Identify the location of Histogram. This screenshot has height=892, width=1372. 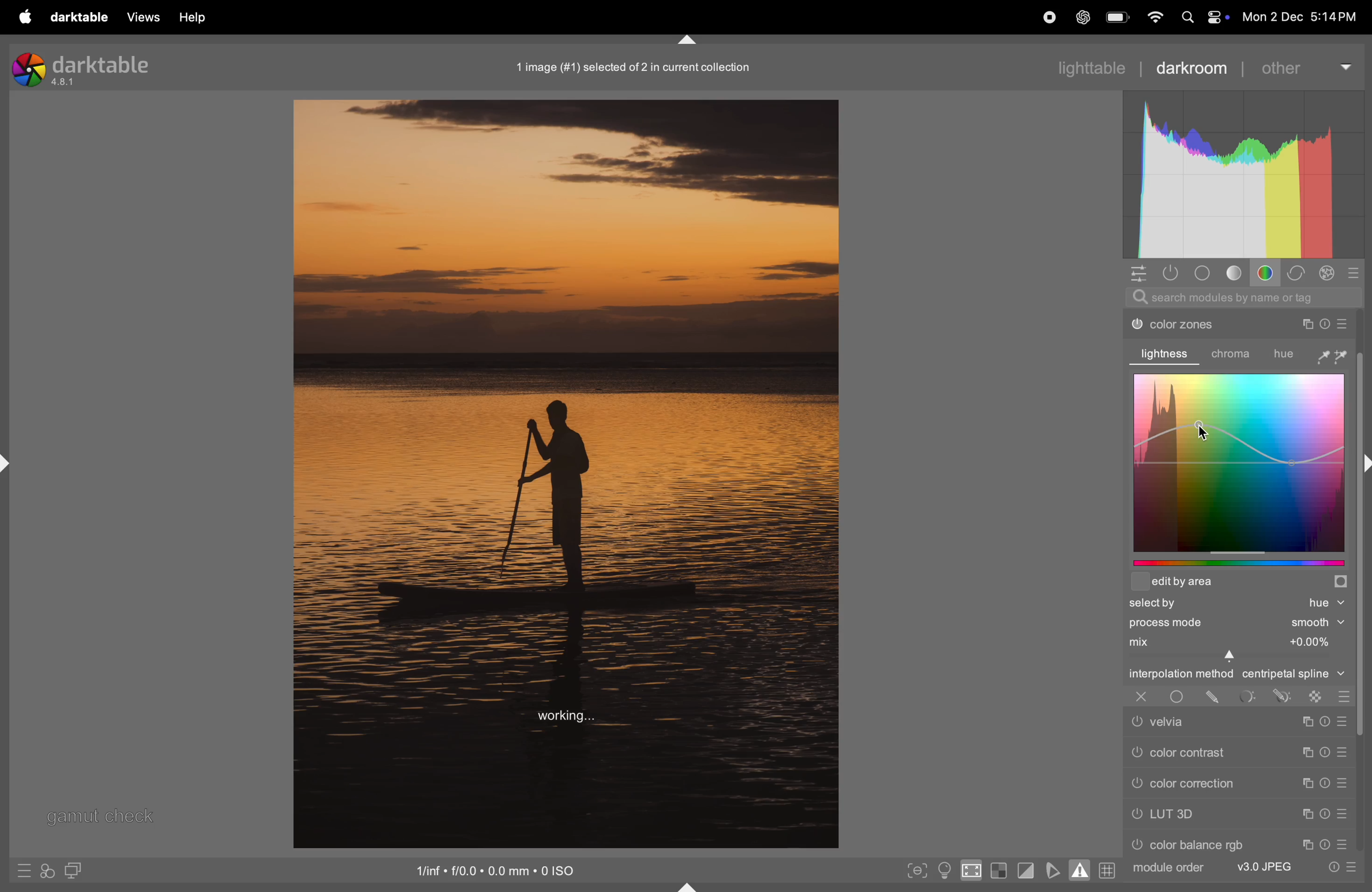
(1247, 173).